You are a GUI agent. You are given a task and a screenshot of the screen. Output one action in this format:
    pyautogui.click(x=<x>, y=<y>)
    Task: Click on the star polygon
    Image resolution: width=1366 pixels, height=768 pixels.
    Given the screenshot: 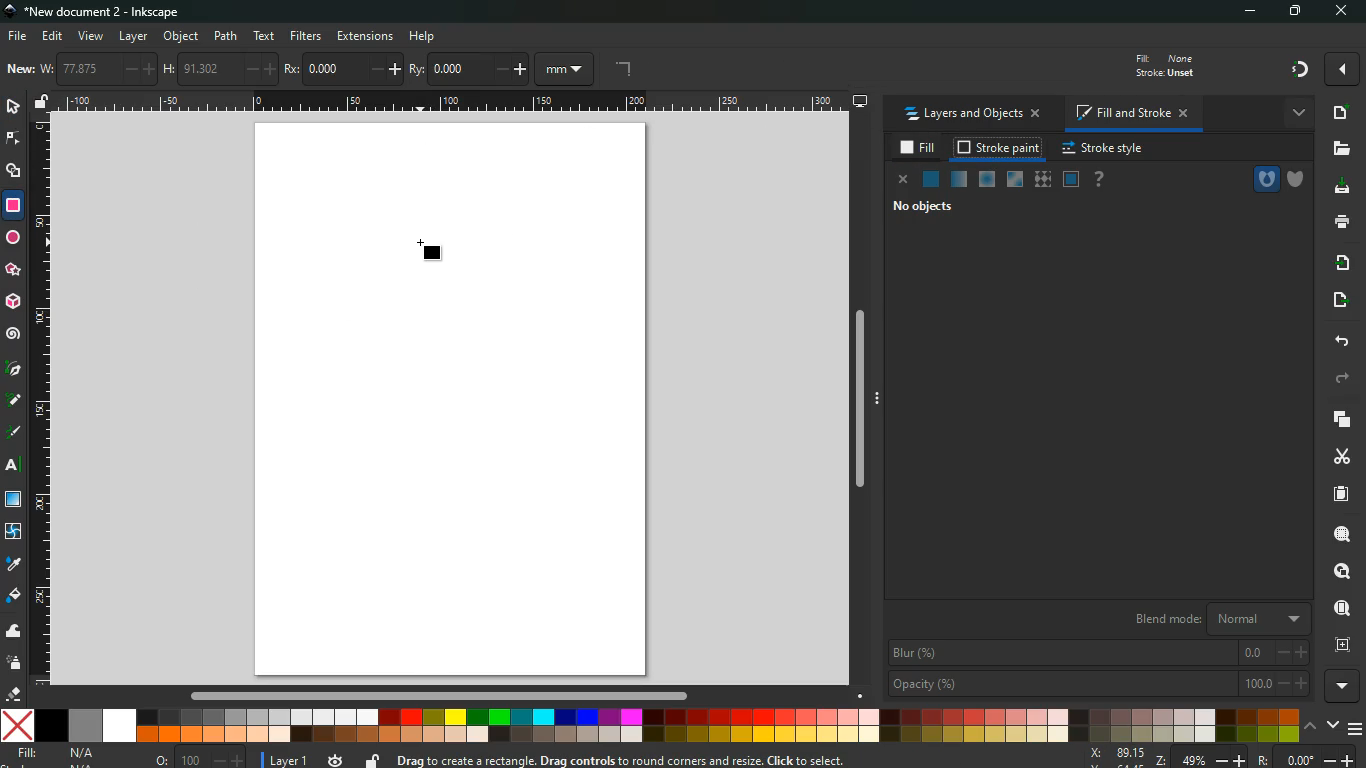 What is the action you would take?
    pyautogui.click(x=13, y=268)
    